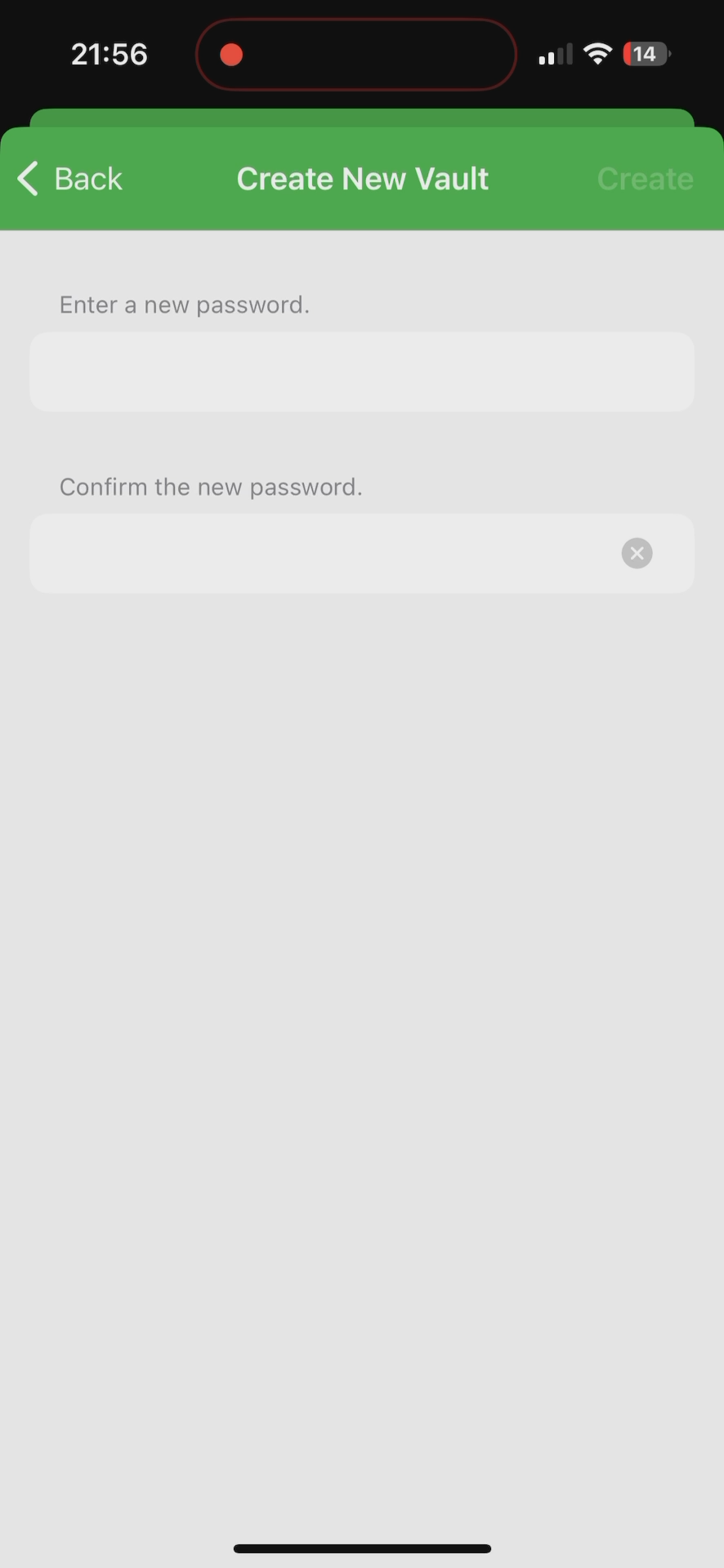 This screenshot has width=724, height=1568. I want to click on caption for new password, so click(321, 372).